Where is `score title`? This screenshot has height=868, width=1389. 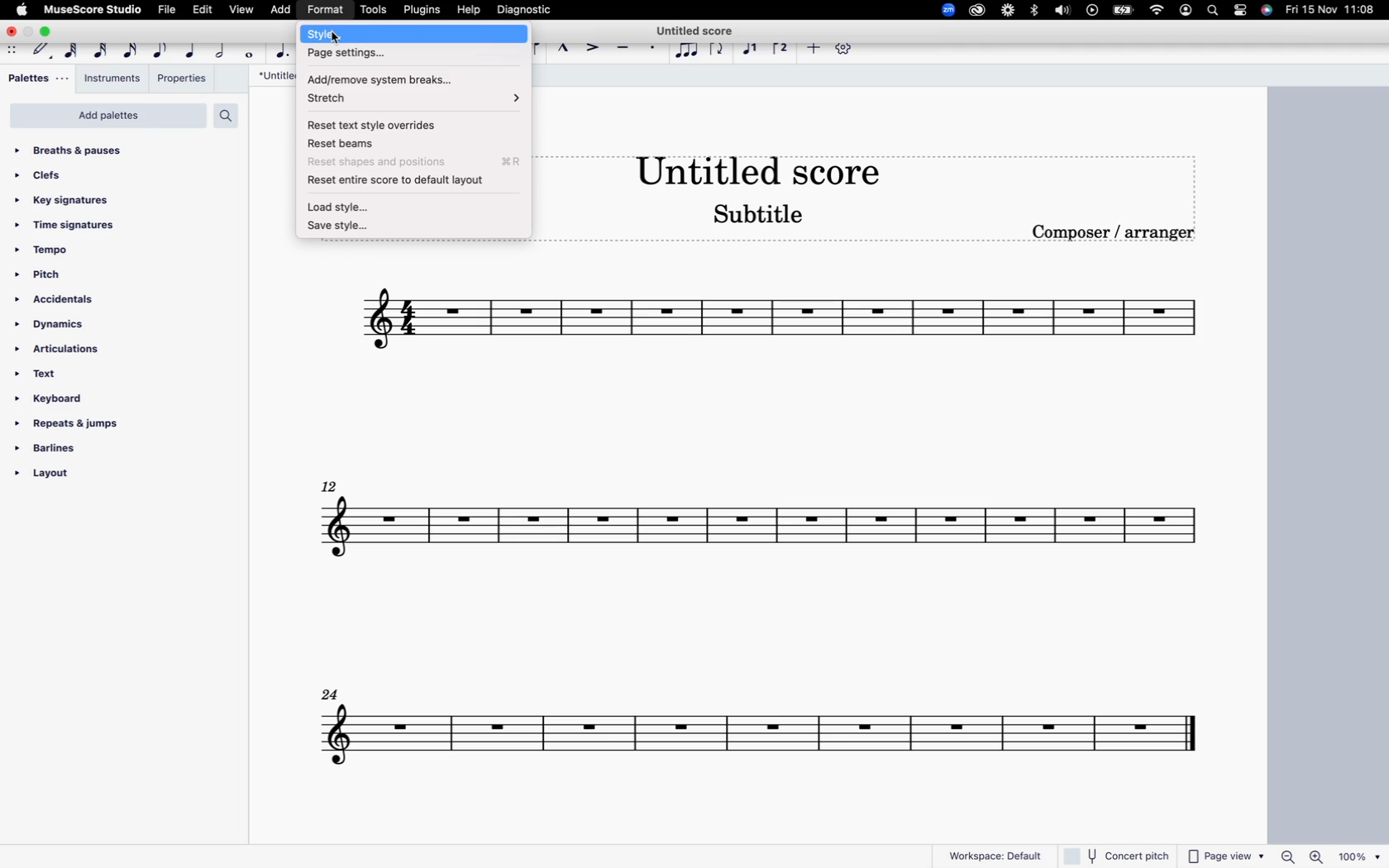
score title is located at coordinates (273, 77).